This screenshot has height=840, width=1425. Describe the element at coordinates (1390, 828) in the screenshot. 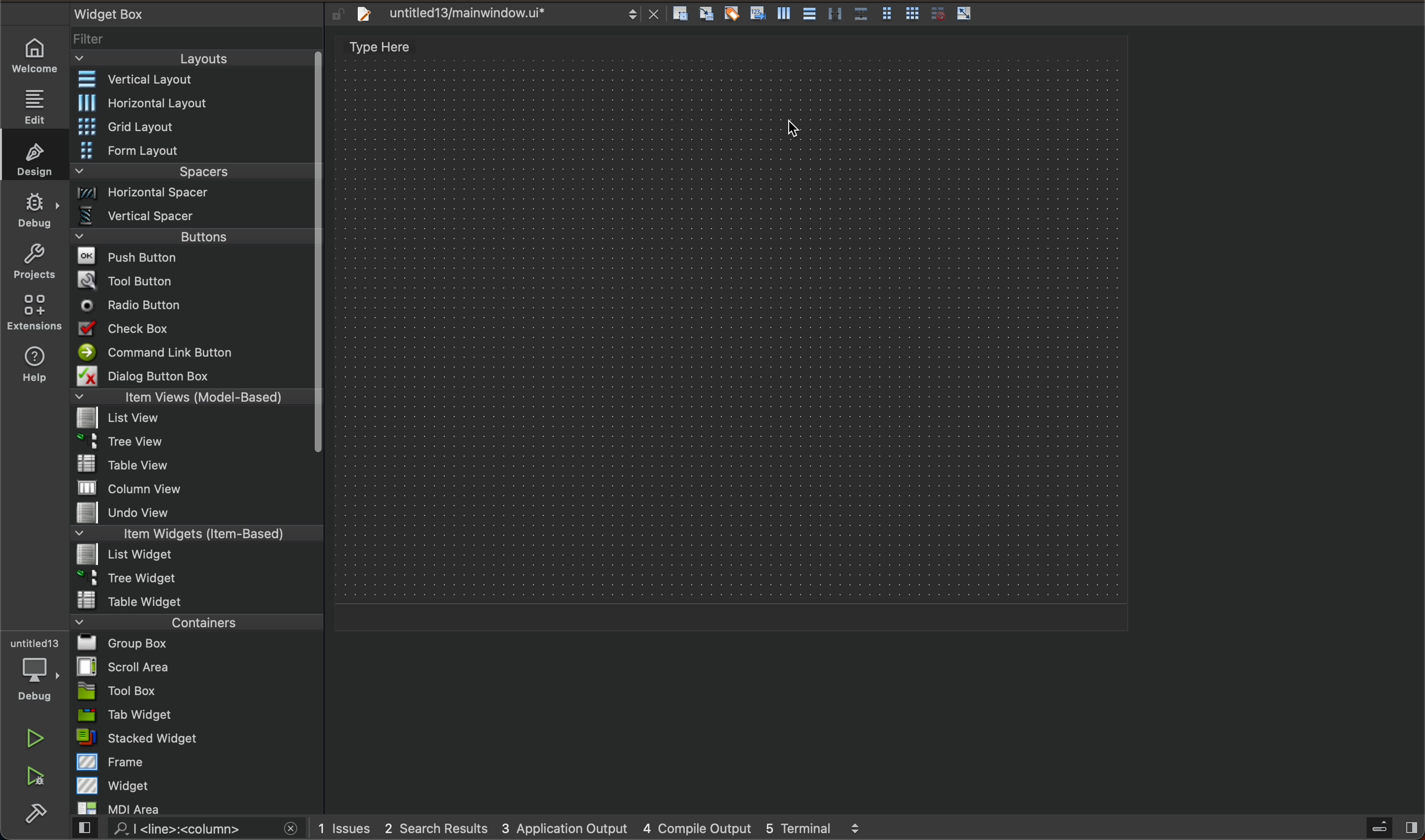

I see `close sidebar` at that location.